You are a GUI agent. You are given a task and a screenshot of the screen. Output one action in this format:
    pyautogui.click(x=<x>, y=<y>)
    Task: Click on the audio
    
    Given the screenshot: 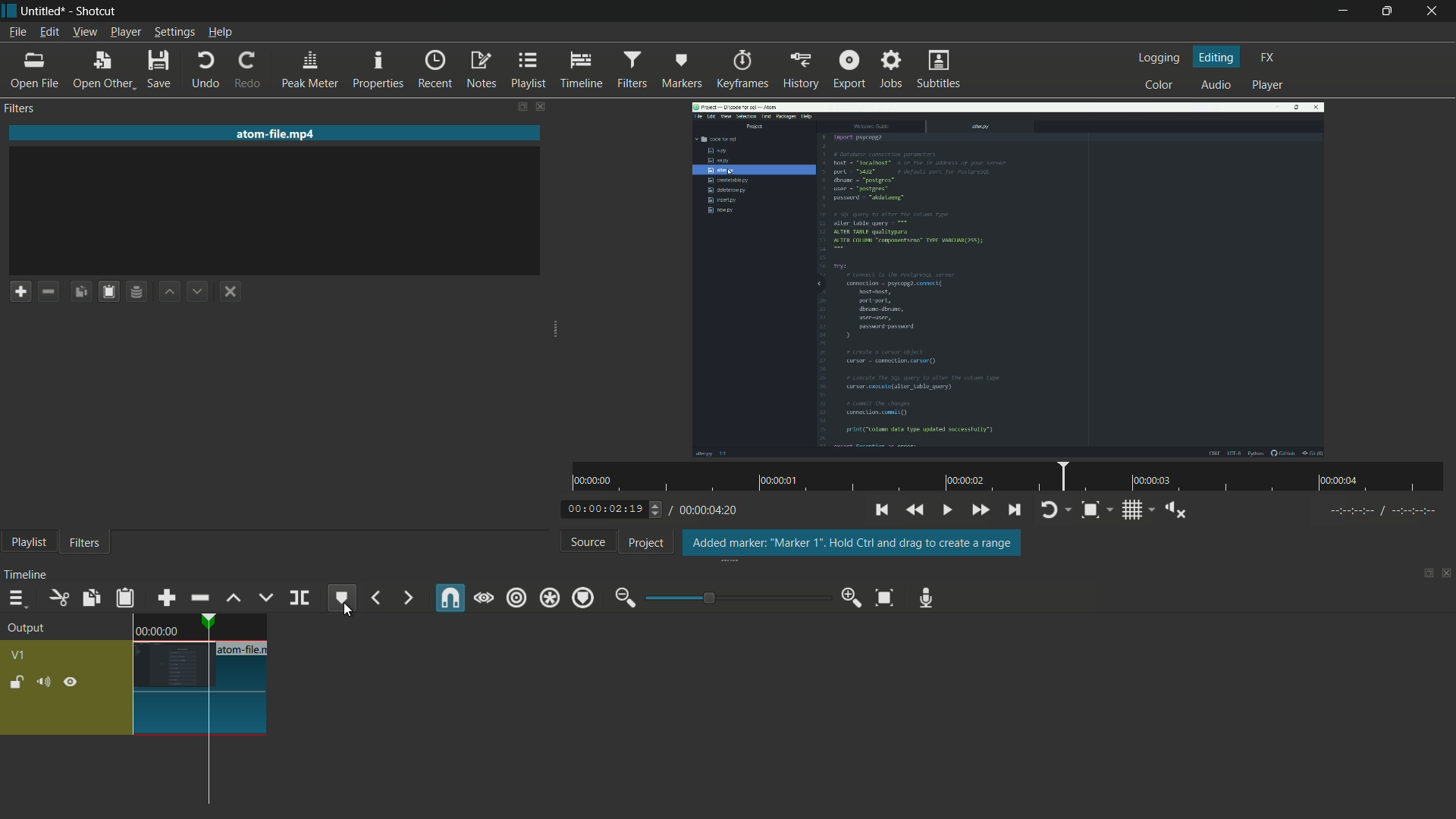 What is the action you would take?
    pyautogui.click(x=1214, y=86)
    